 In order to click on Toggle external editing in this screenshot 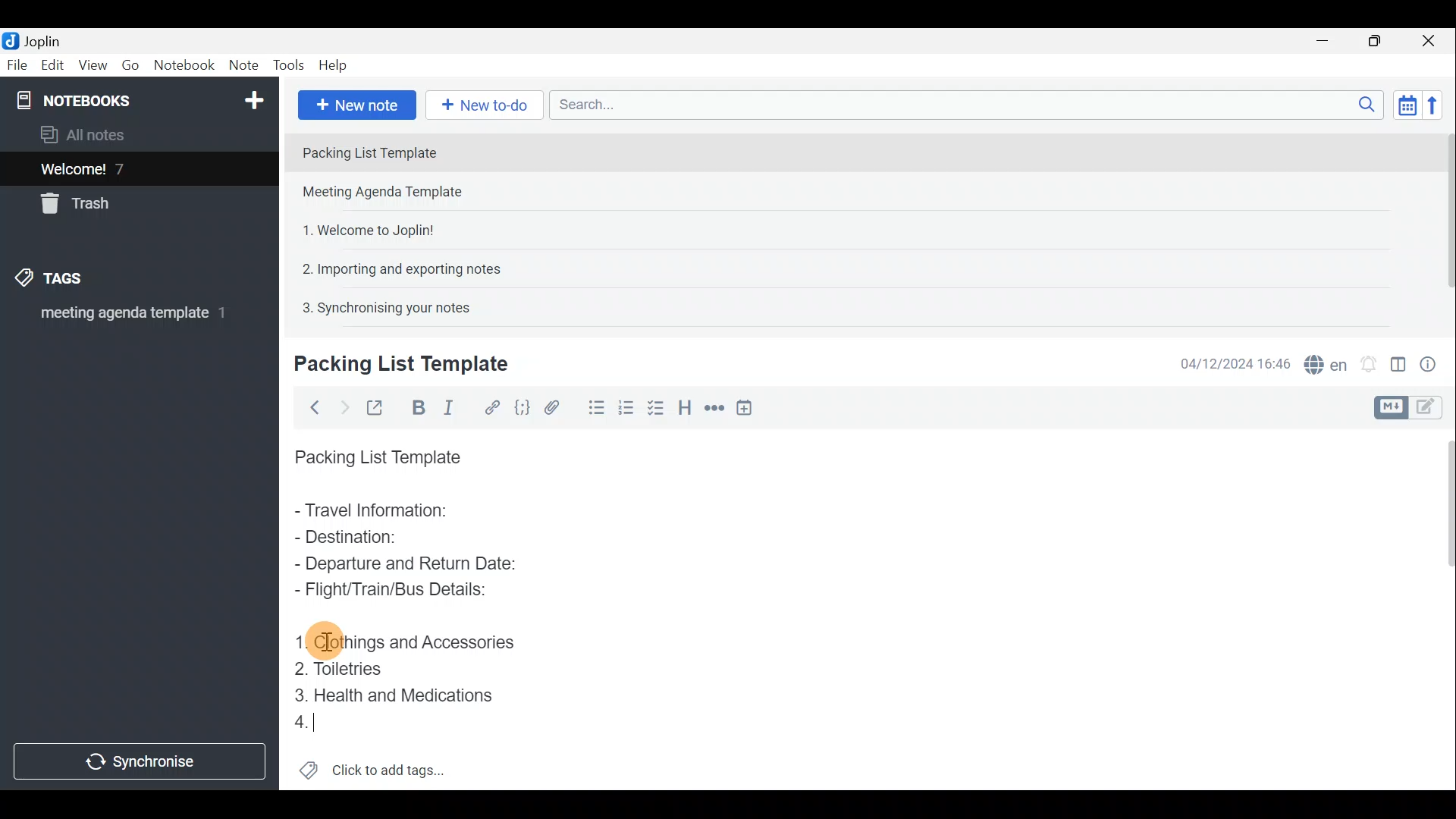, I will do `click(376, 406)`.